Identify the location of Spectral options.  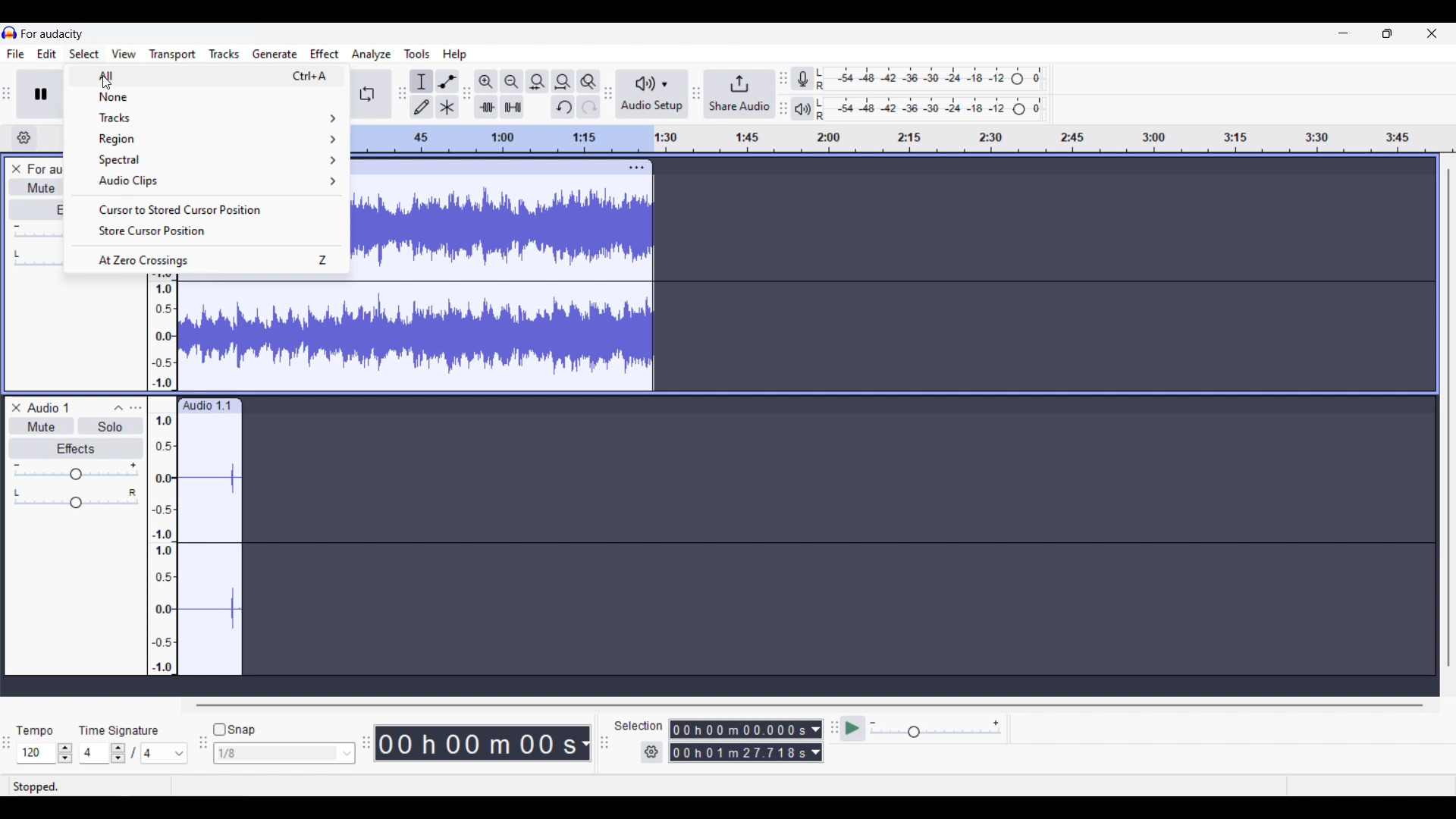
(208, 161).